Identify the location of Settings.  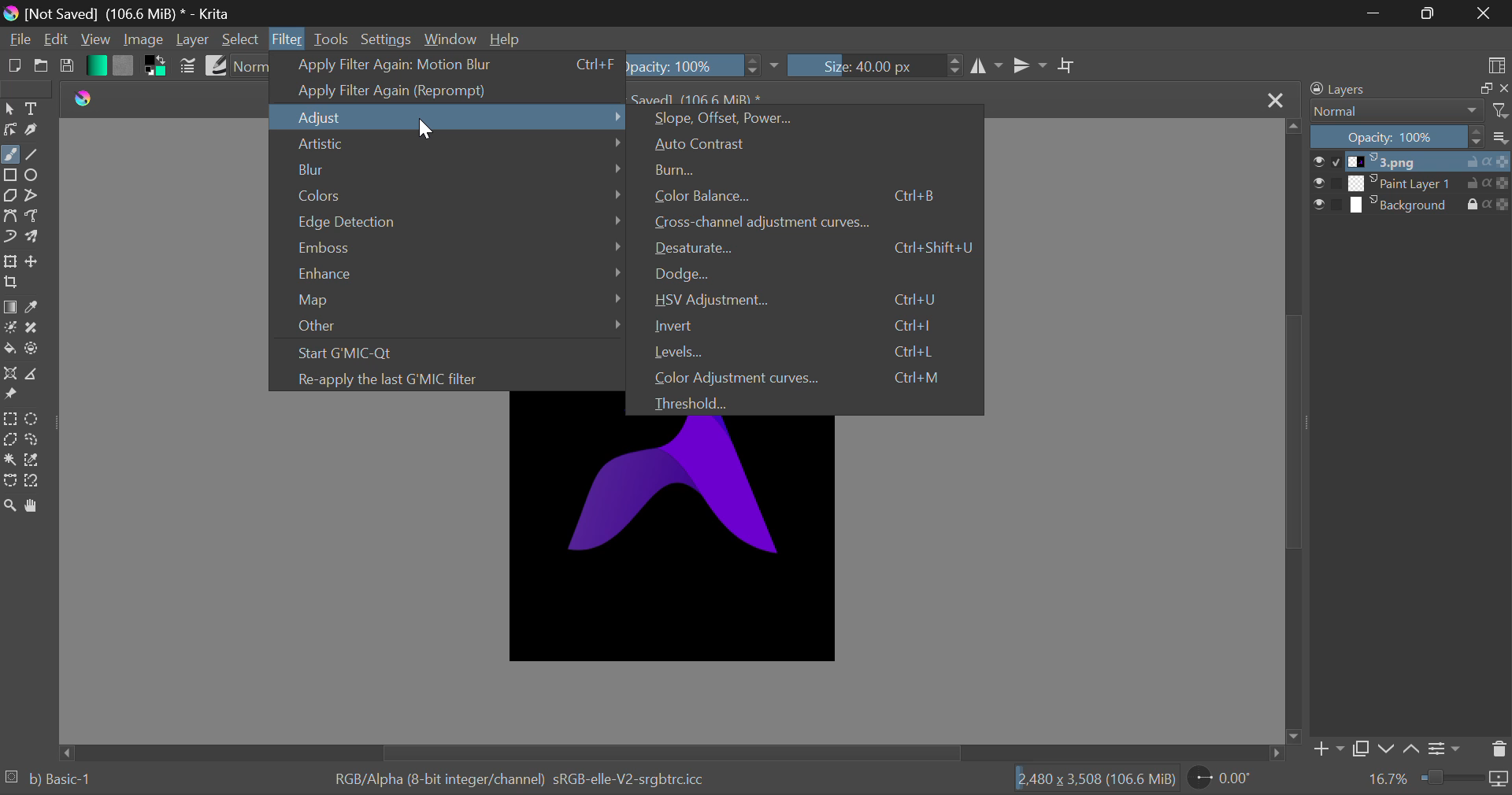
(1447, 747).